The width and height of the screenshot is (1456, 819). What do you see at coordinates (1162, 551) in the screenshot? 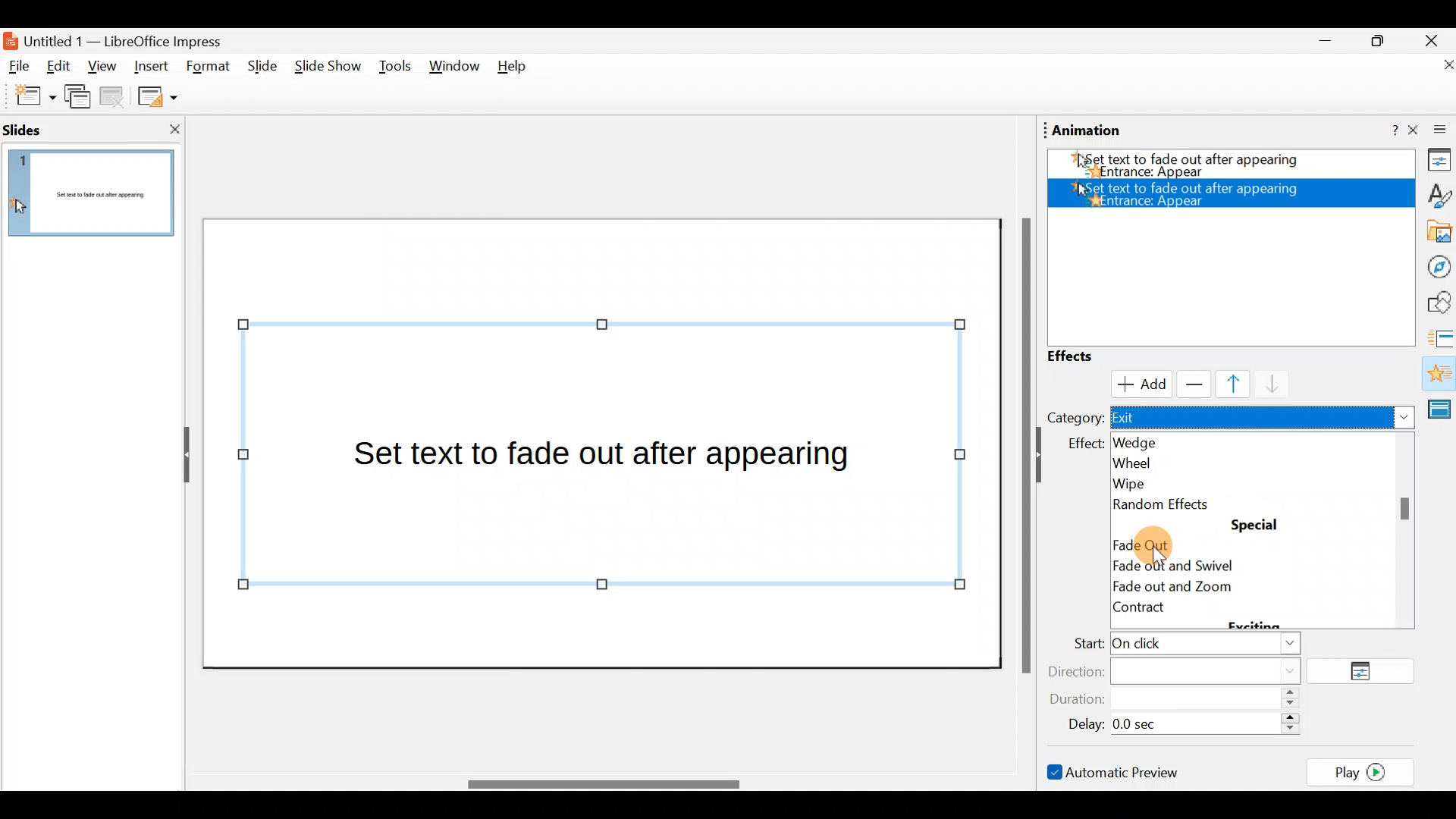
I see `cursor` at bounding box center [1162, 551].